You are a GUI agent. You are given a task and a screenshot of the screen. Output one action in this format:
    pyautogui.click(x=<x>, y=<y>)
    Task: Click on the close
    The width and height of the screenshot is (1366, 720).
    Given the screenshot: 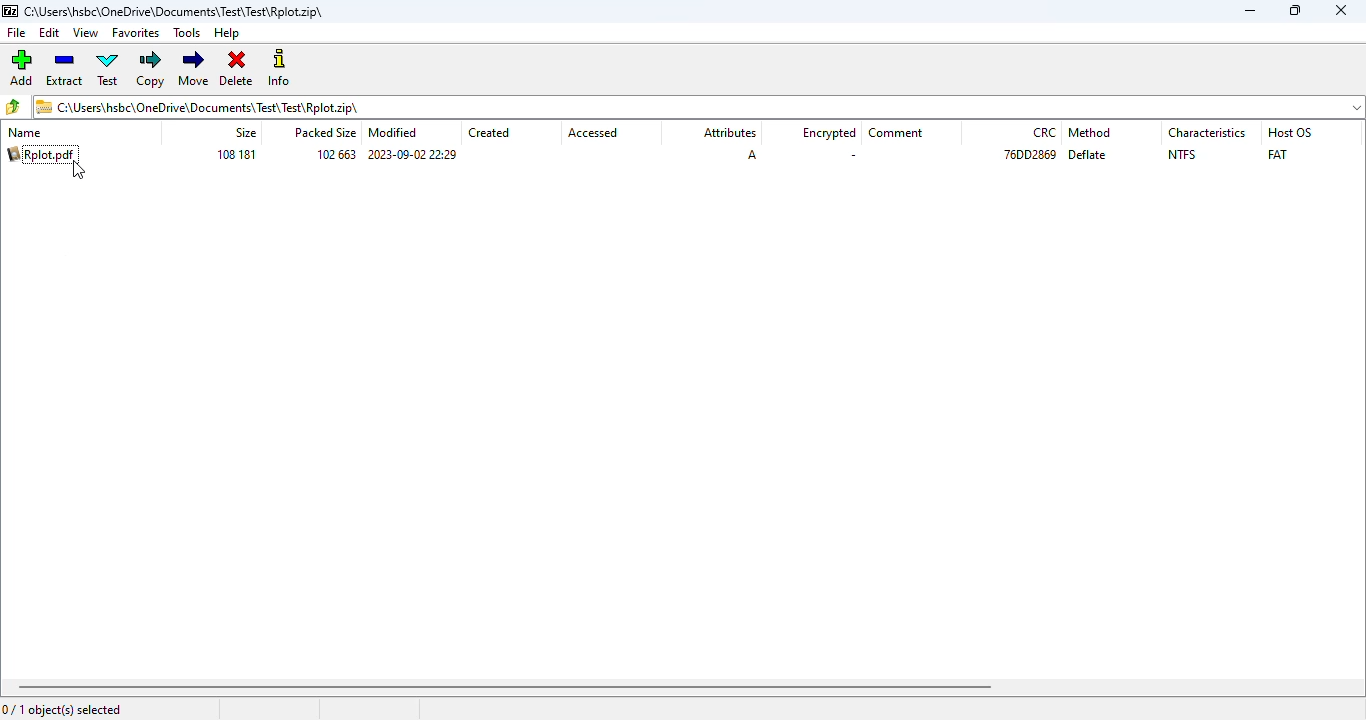 What is the action you would take?
    pyautogui.click(x=1340, y=10)
    